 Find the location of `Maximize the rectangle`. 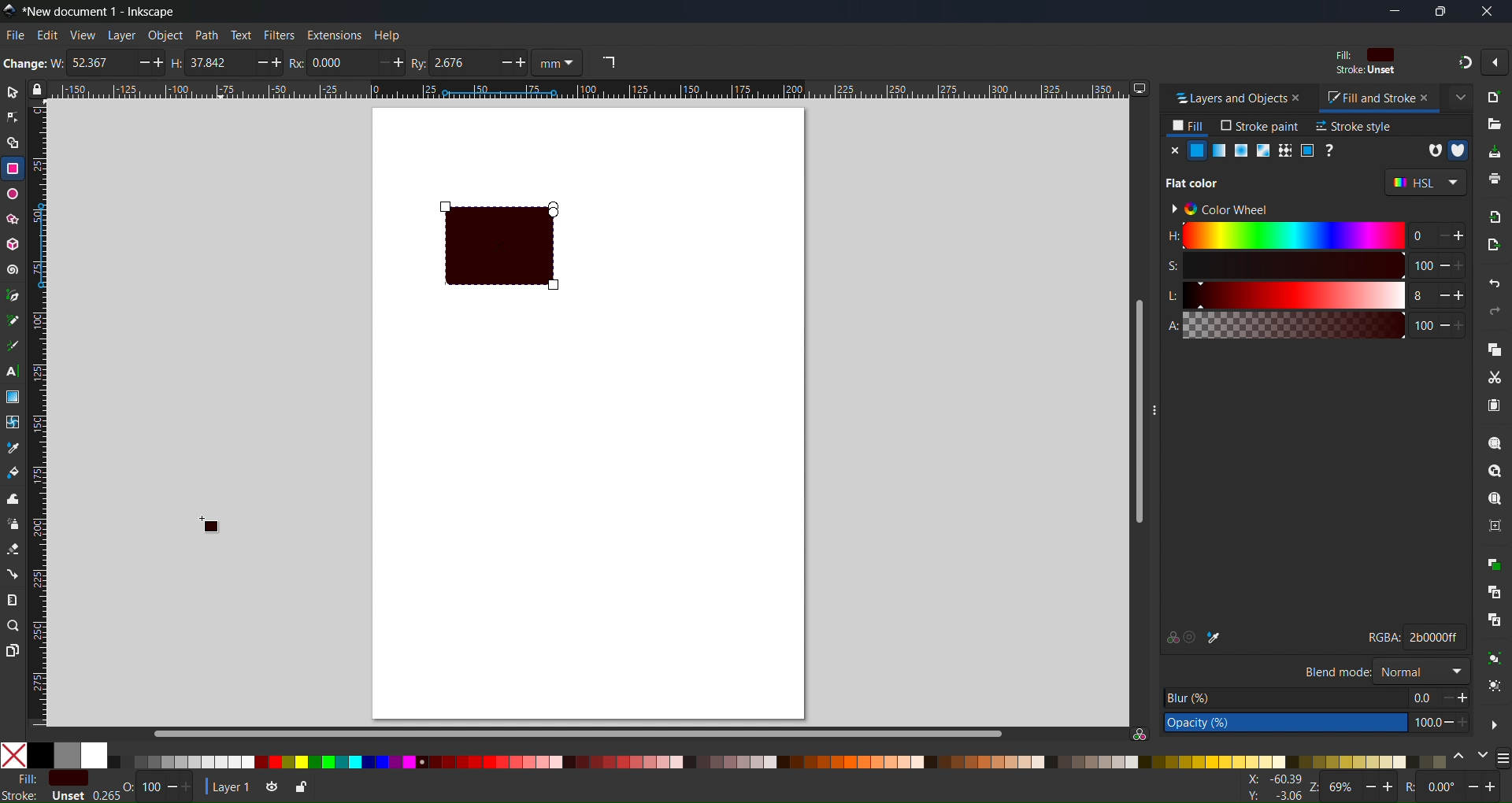

Maximize the rectangle is located at coordinates (280, 63).